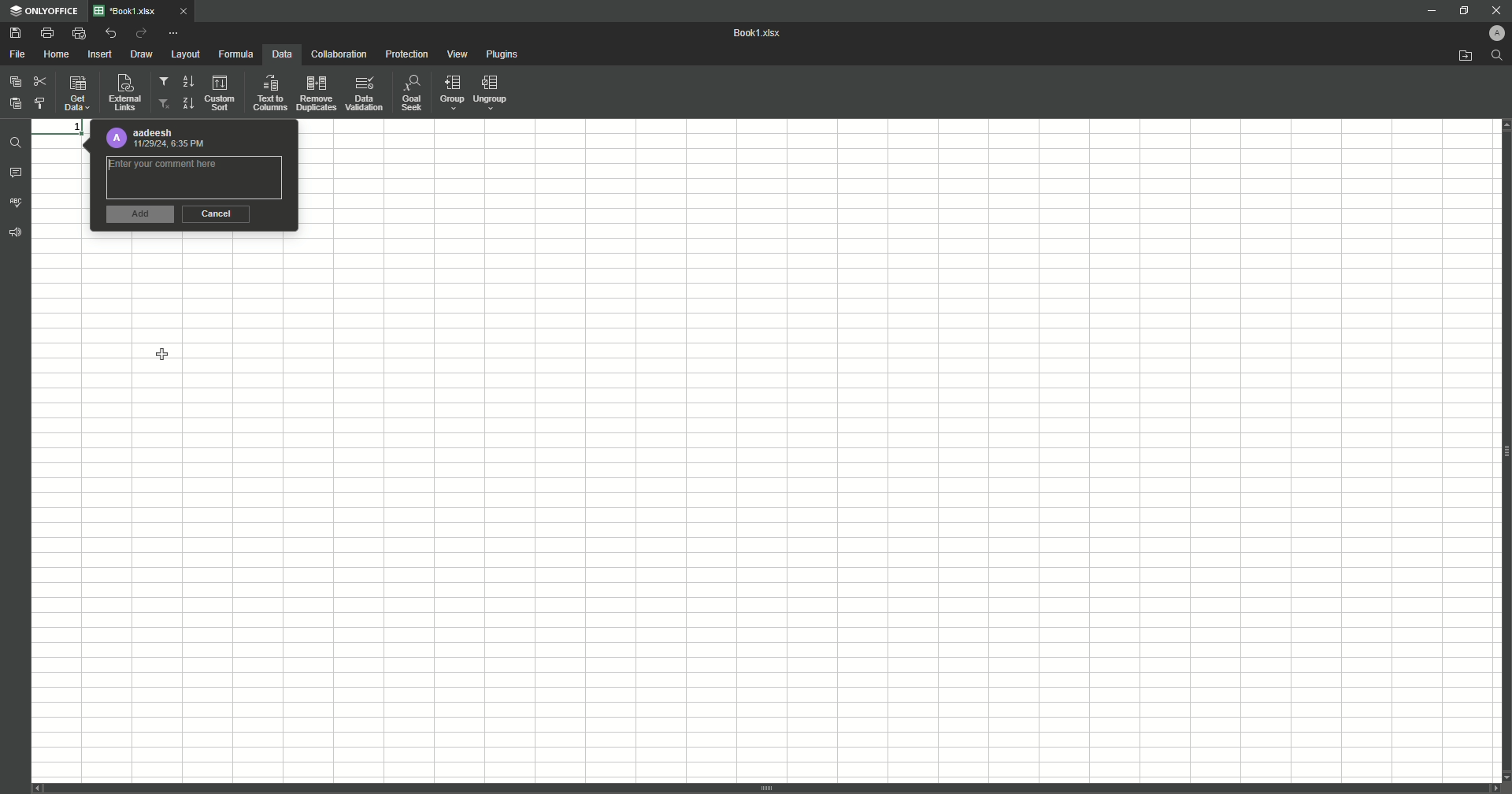 The image size is (1512, 794). I want to click on Group, so click(450, 94).